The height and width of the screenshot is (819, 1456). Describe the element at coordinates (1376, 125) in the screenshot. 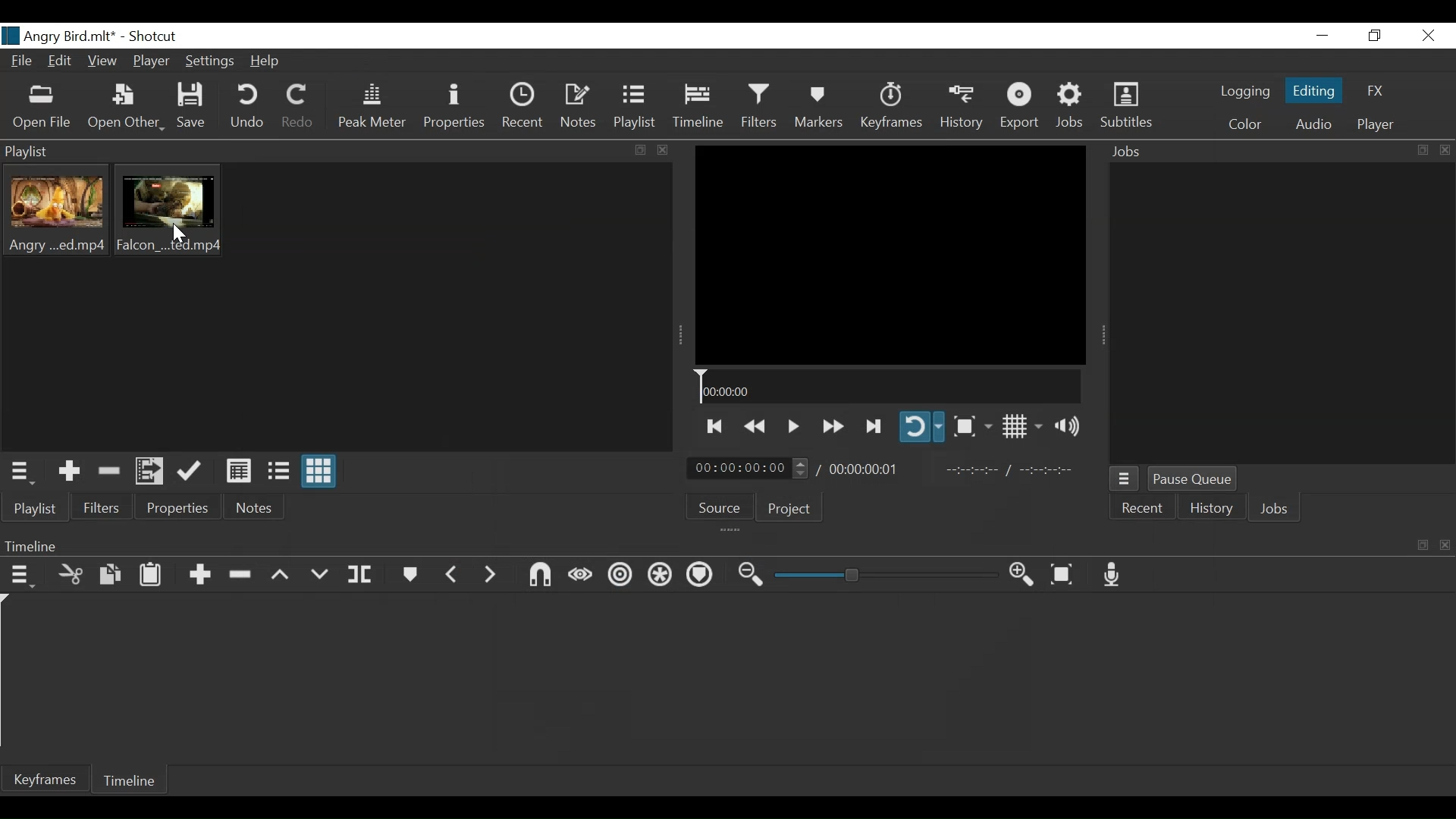

I see `Player` at that location.